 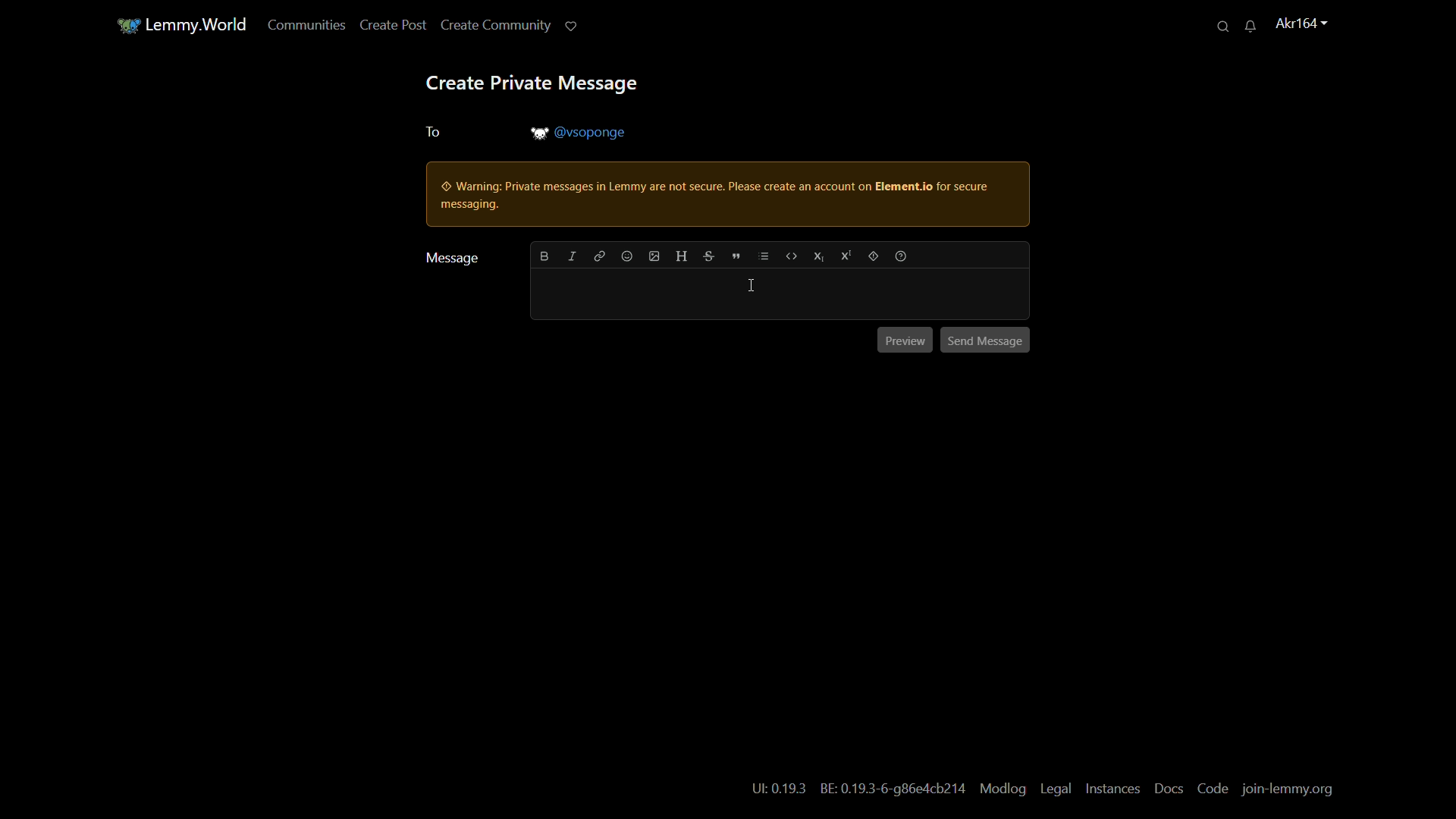 What do you see at coordinates (1216, 25) in the screenshot?
I see `search` at bounding box center [1216, 25].